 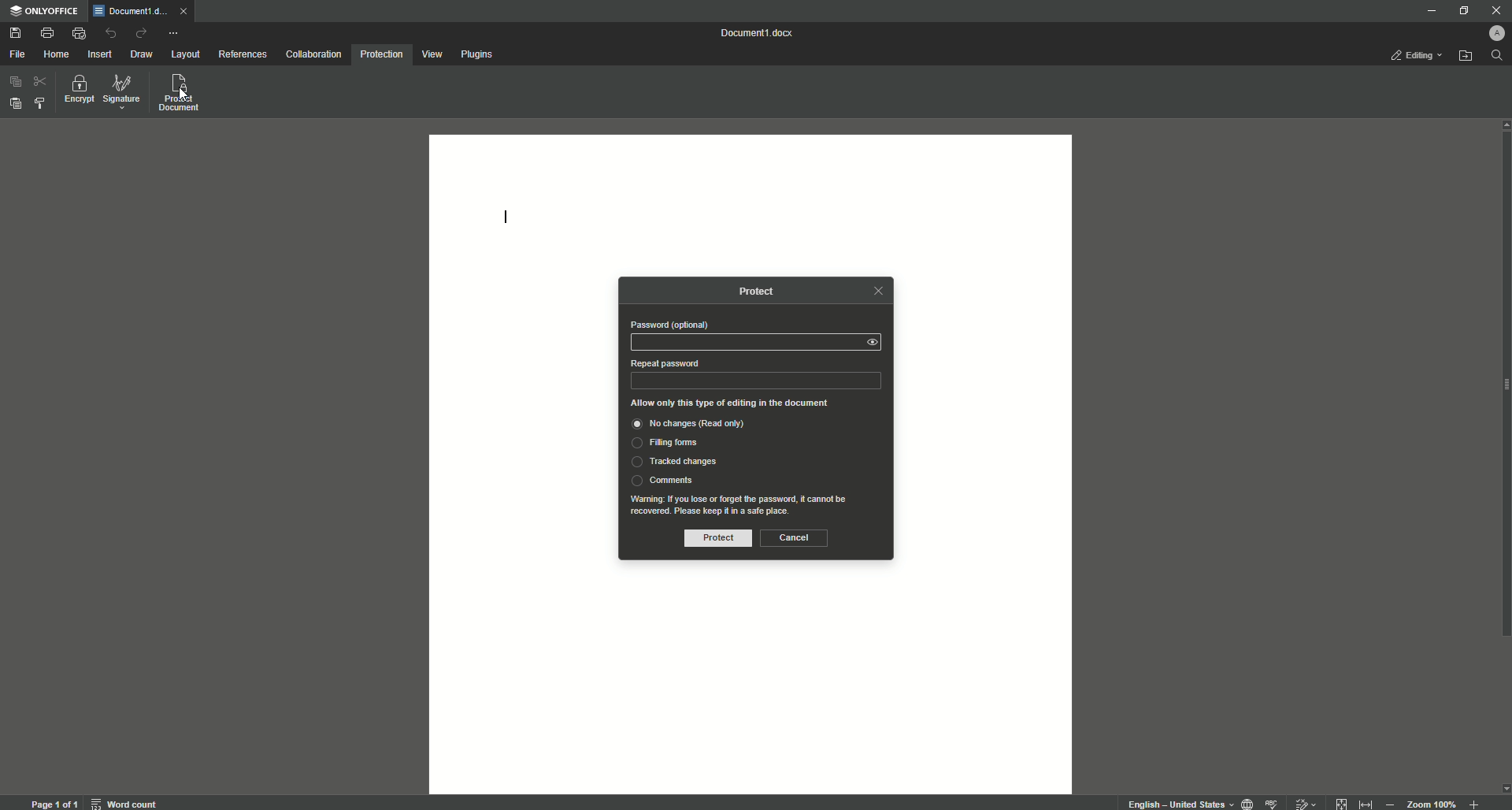 I want to click on Text line, so click(x=506, y=220).